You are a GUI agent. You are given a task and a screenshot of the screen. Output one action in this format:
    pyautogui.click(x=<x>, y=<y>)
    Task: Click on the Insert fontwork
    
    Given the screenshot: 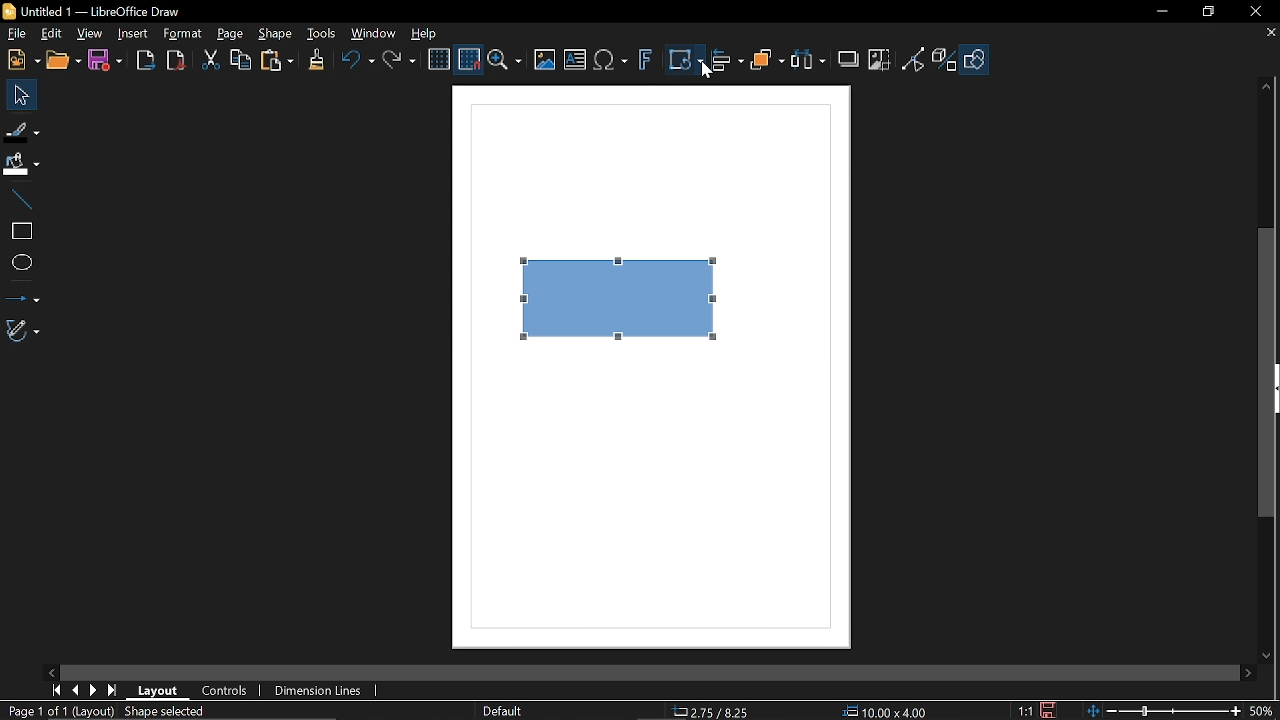 What is the action you would take?
    pyautogui.click(x=645, y=62)
    